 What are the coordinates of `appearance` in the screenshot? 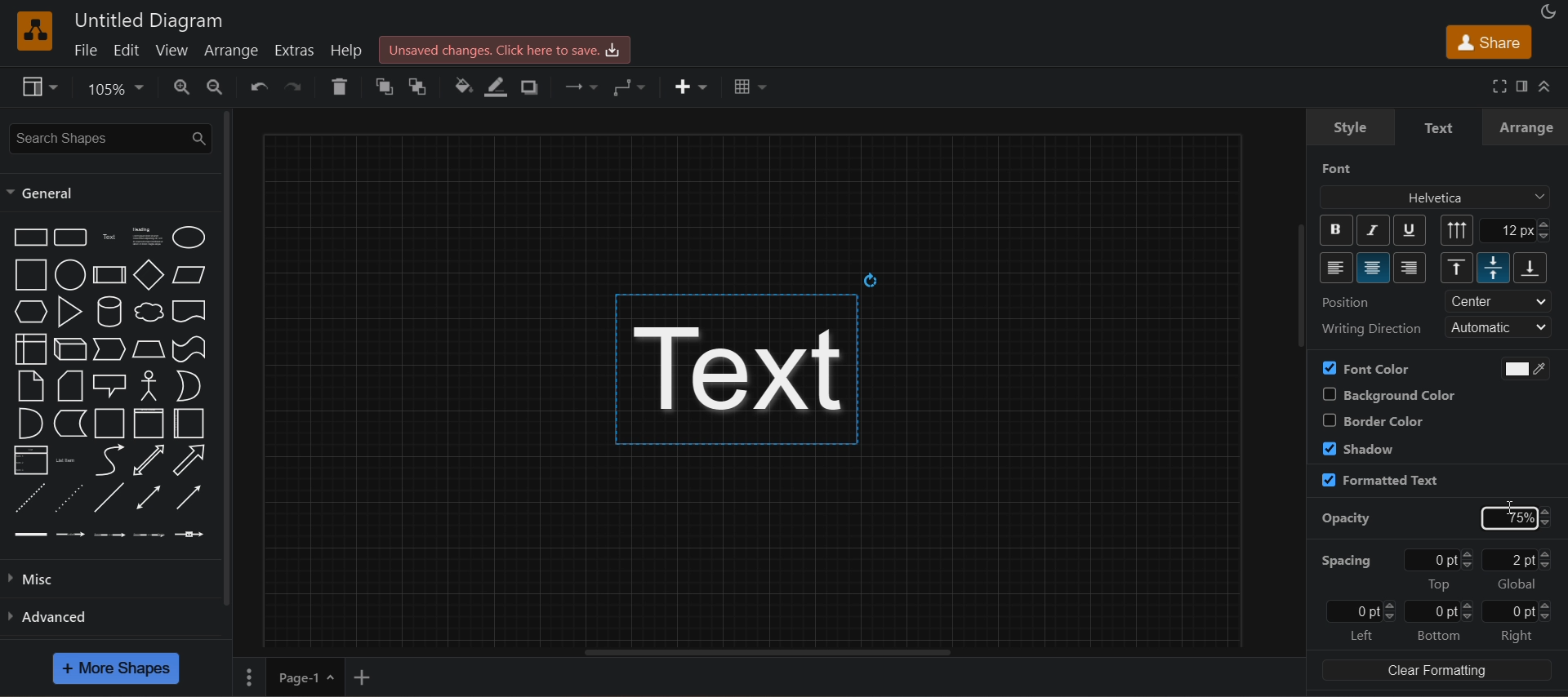 It's located at (1547, 10).